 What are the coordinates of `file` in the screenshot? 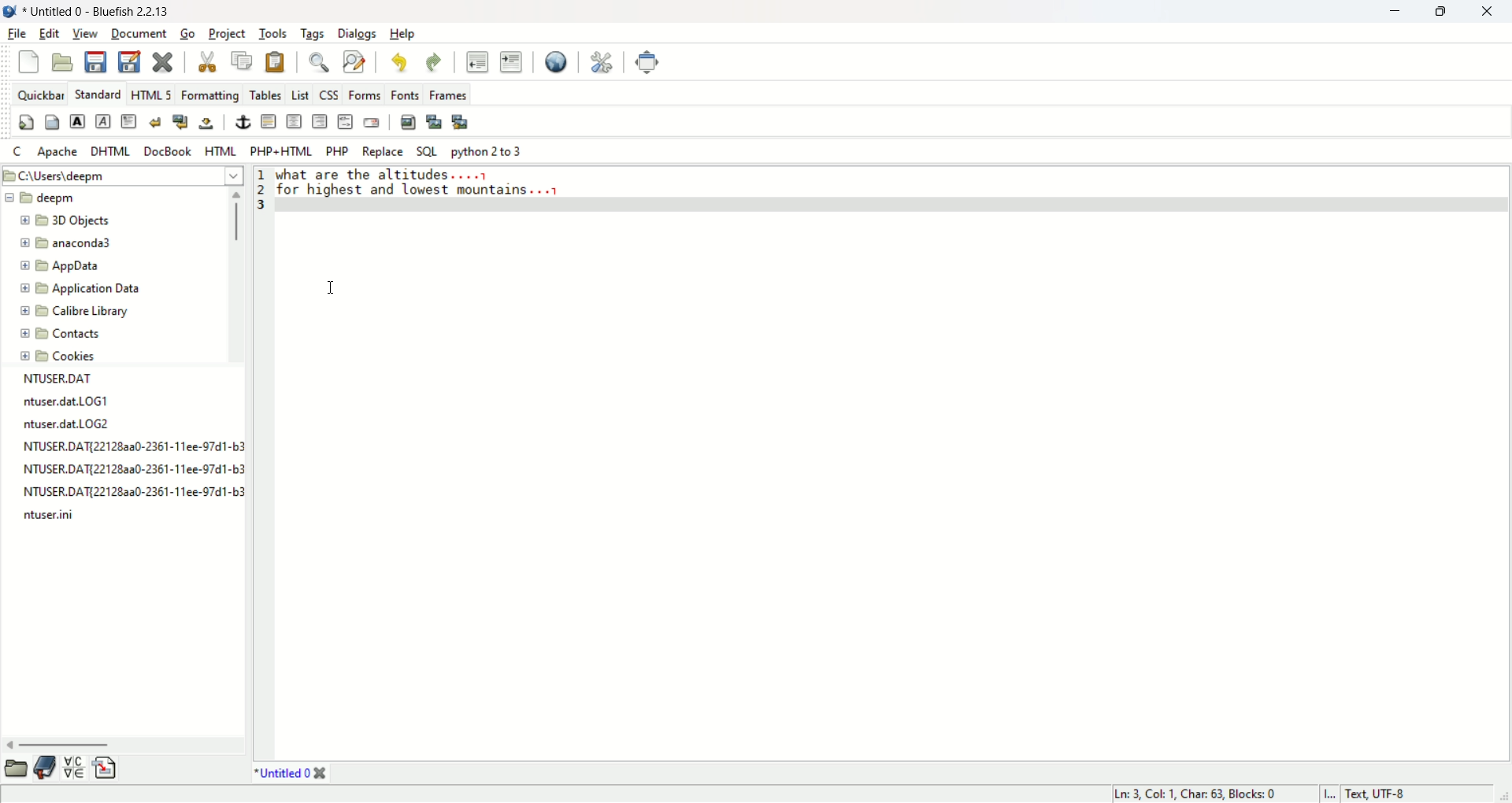 It's located at (17, 34).